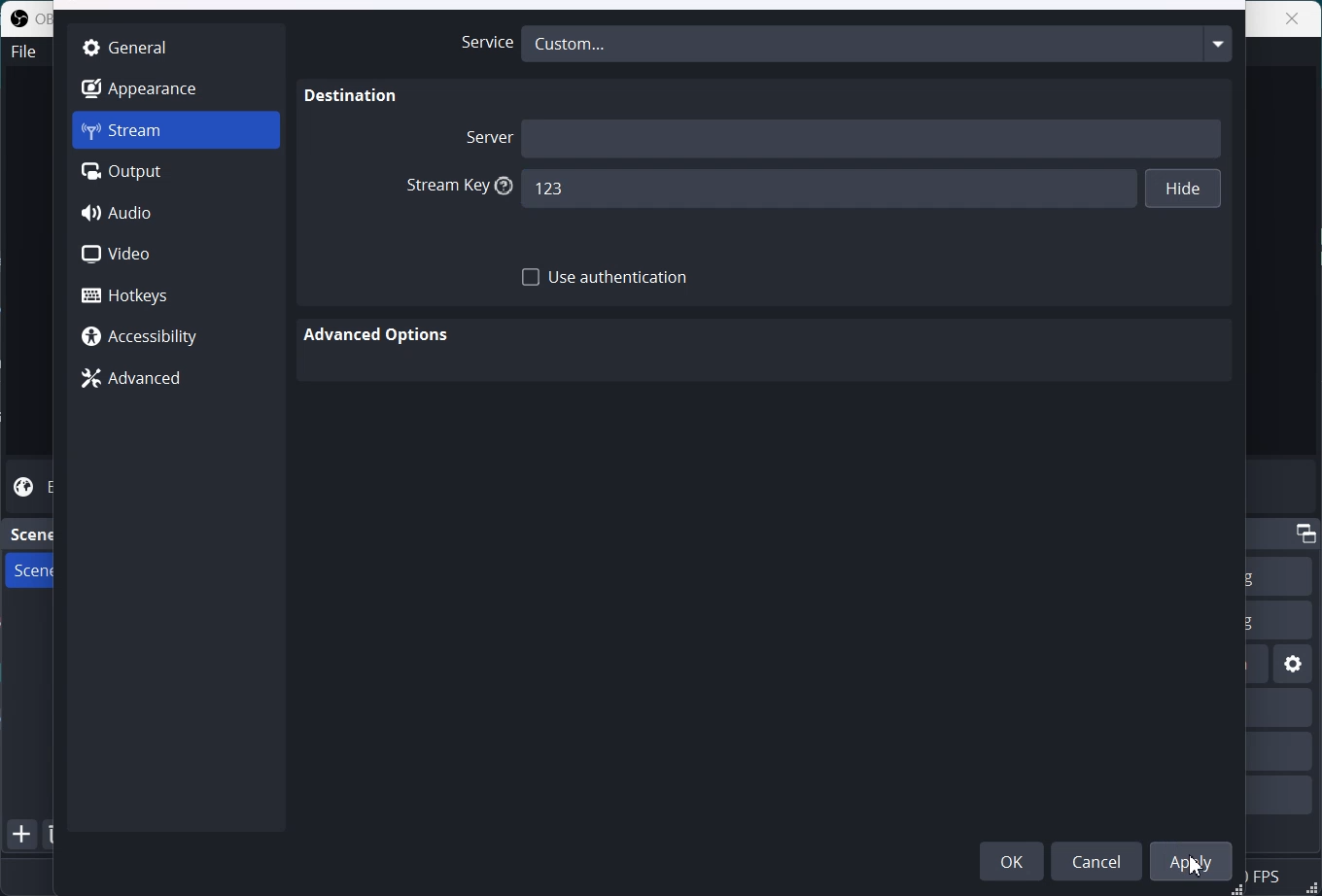 The height and width of the screenshot is (896, 1322). What do you see at coordinates (481, 43) in the screenshot?
I see `Service` at bounding box center [481, 43].